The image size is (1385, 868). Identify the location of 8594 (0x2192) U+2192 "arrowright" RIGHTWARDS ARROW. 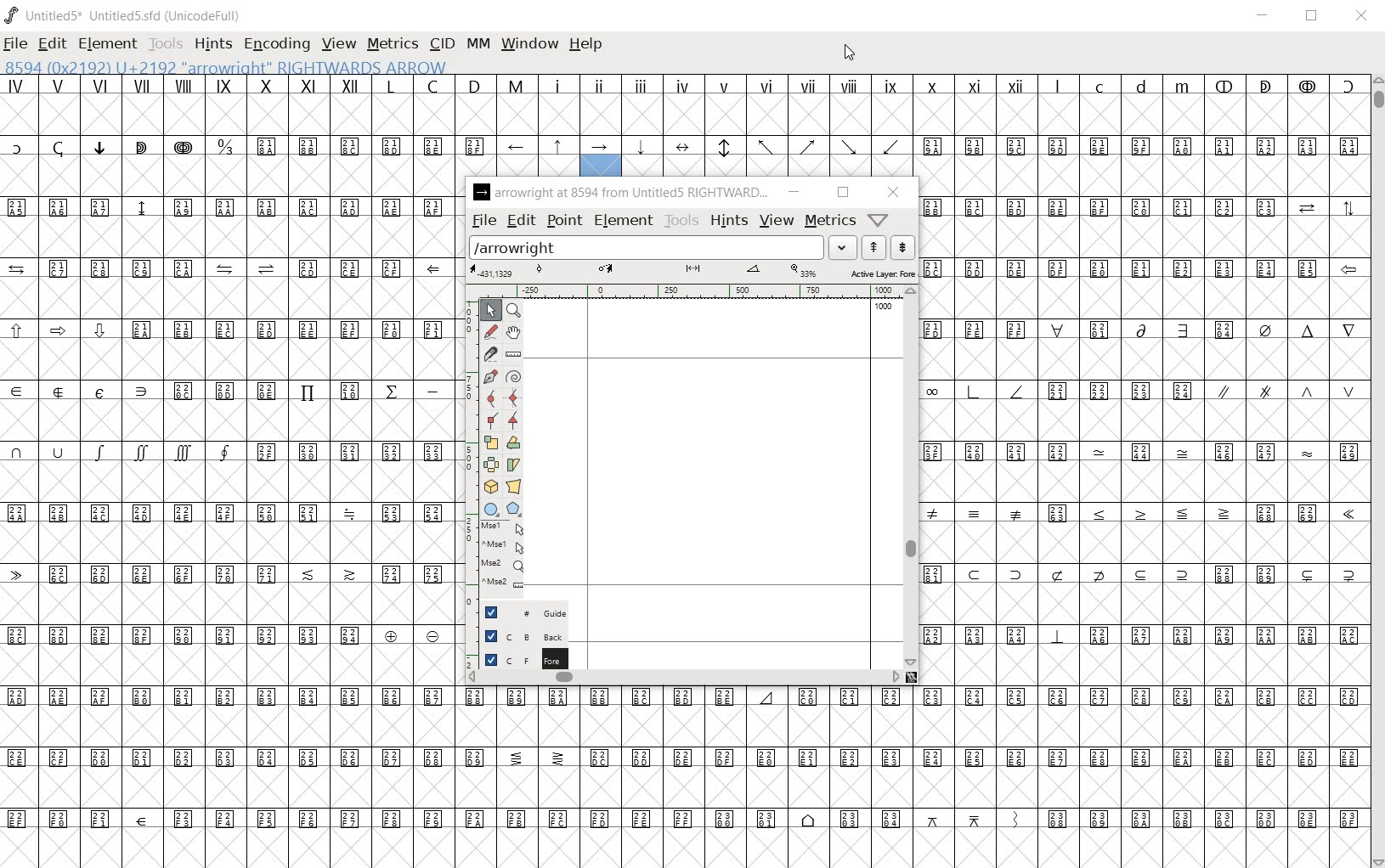
(601, 157).